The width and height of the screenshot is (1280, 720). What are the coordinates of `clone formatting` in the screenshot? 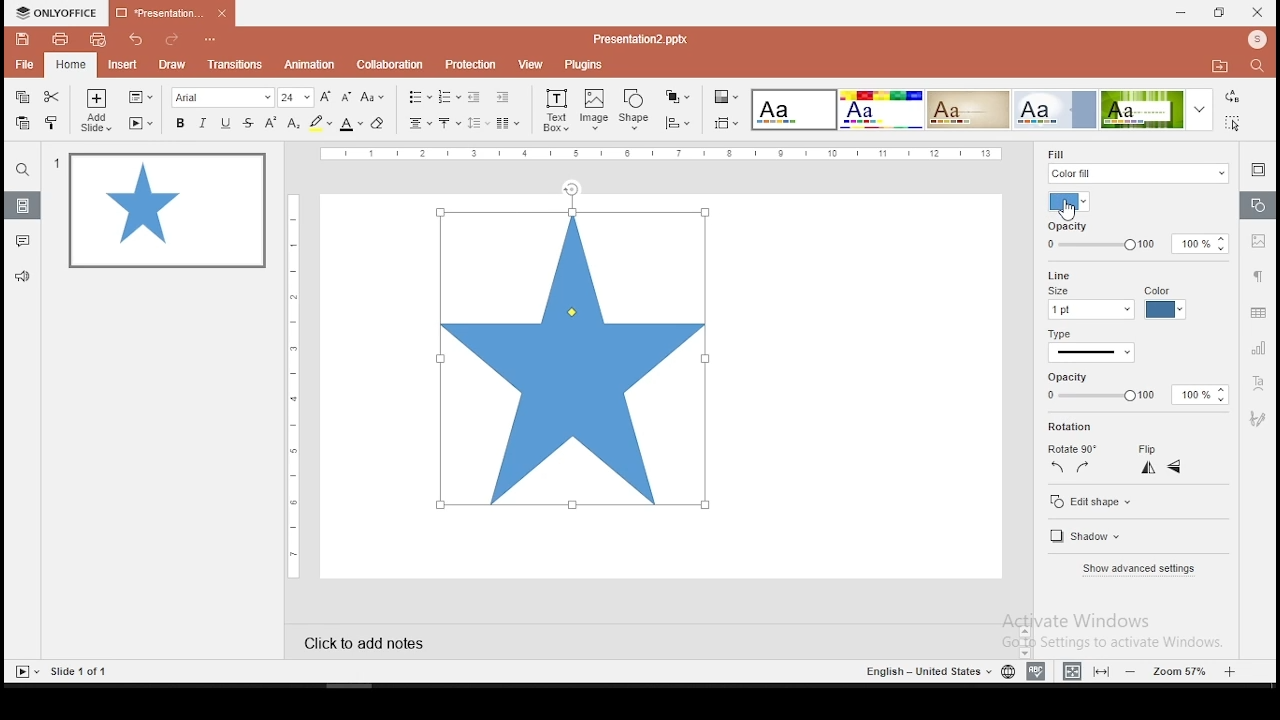 It's located at (52, 122).